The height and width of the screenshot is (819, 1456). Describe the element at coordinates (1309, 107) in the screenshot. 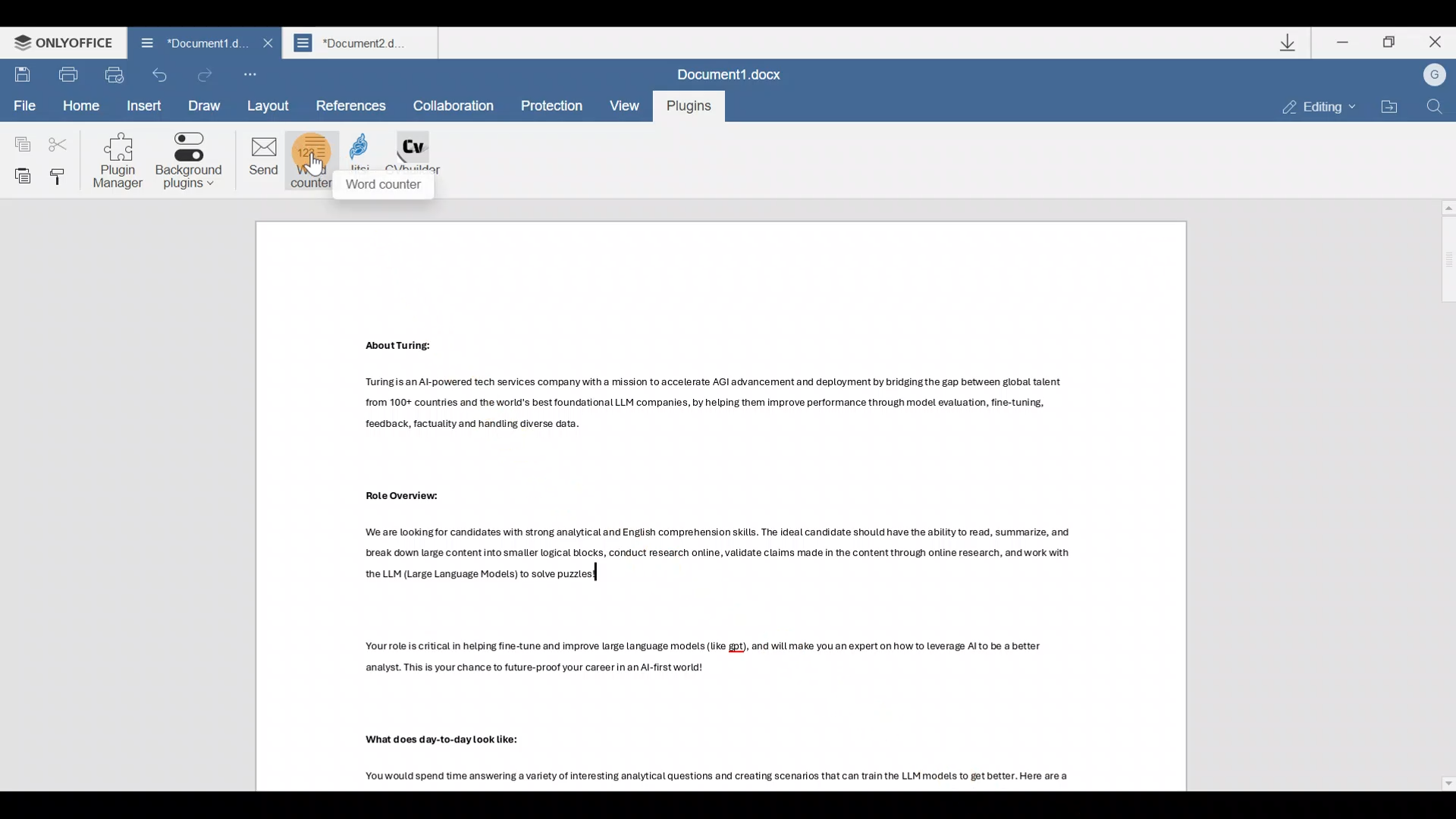

I see `Editing mode` at that location.